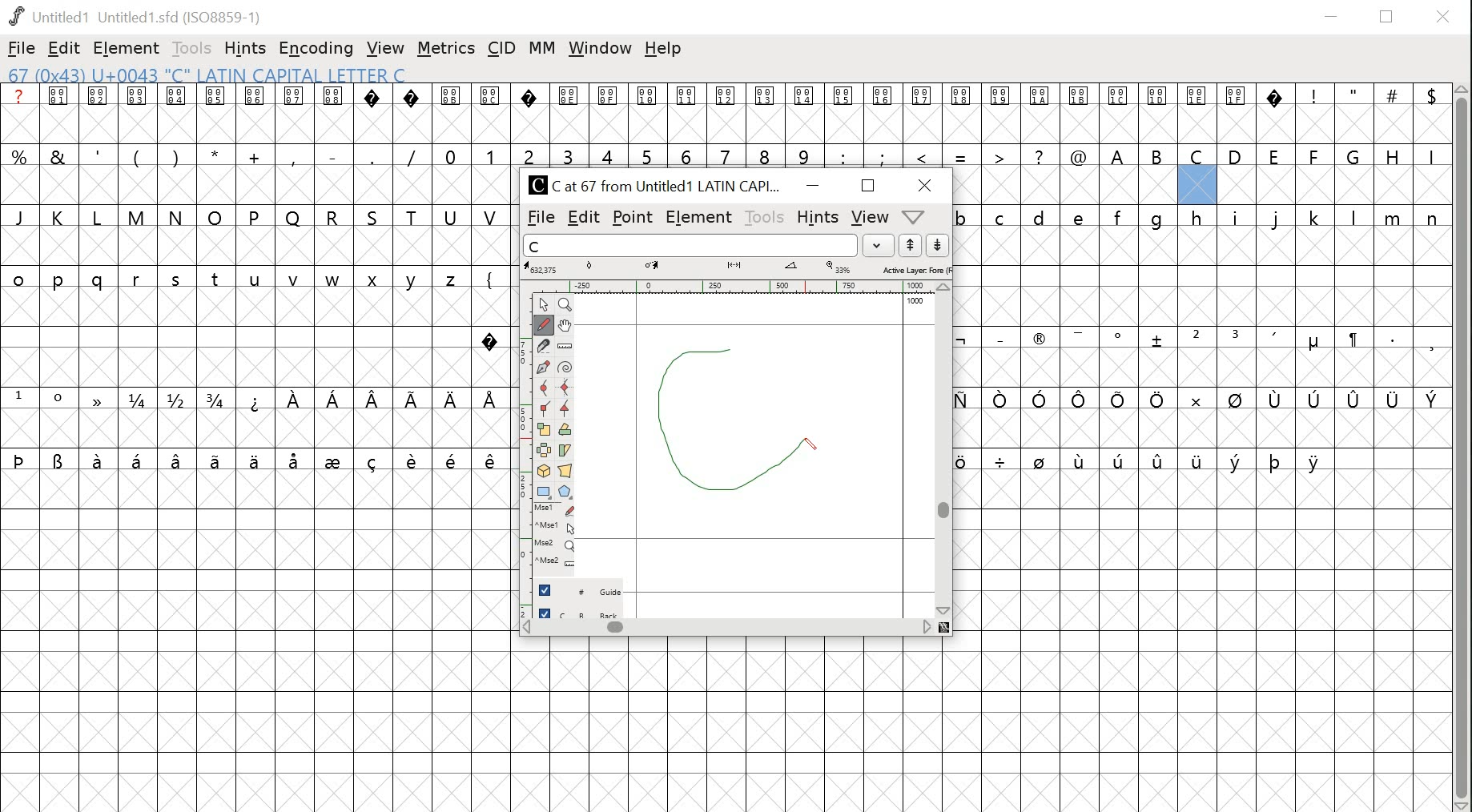 The height and width of the screenshot is (812, 1472). What do you see at coordinates (557, 564) in the screenshot?
I see `mouse wheel + Ctrl` at bounding box center [557, 564].